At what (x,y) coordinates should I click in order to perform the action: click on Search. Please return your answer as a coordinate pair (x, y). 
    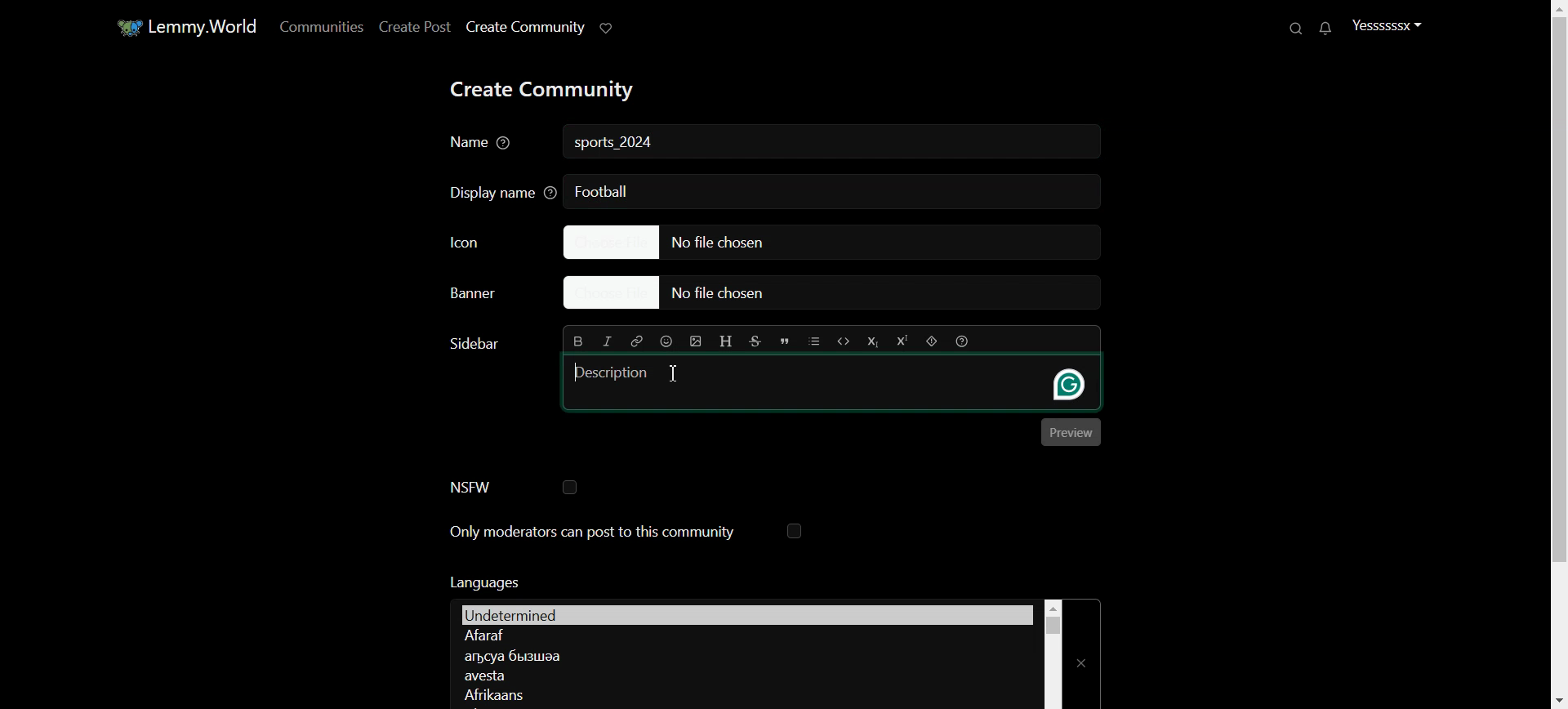
    Looking at the image, I should click on (1298, 28).